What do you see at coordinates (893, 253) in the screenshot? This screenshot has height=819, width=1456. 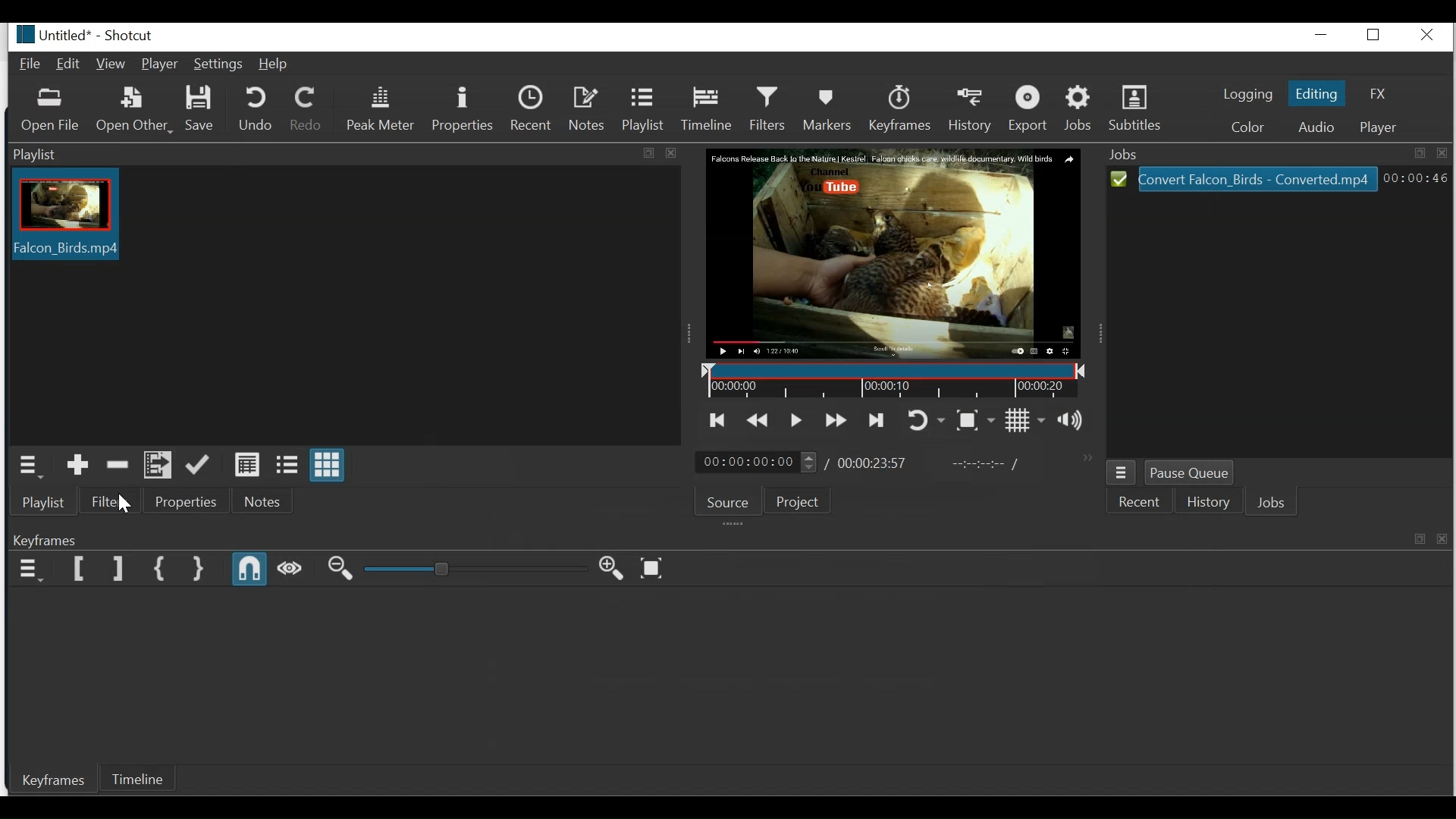 I see `Falcon Release Back to the Nature | Kestrel. Falcon chicks care wildlife documentary. Wild Birds. Channel. You tube(Media viewer)` at bounding box center [893, 253].